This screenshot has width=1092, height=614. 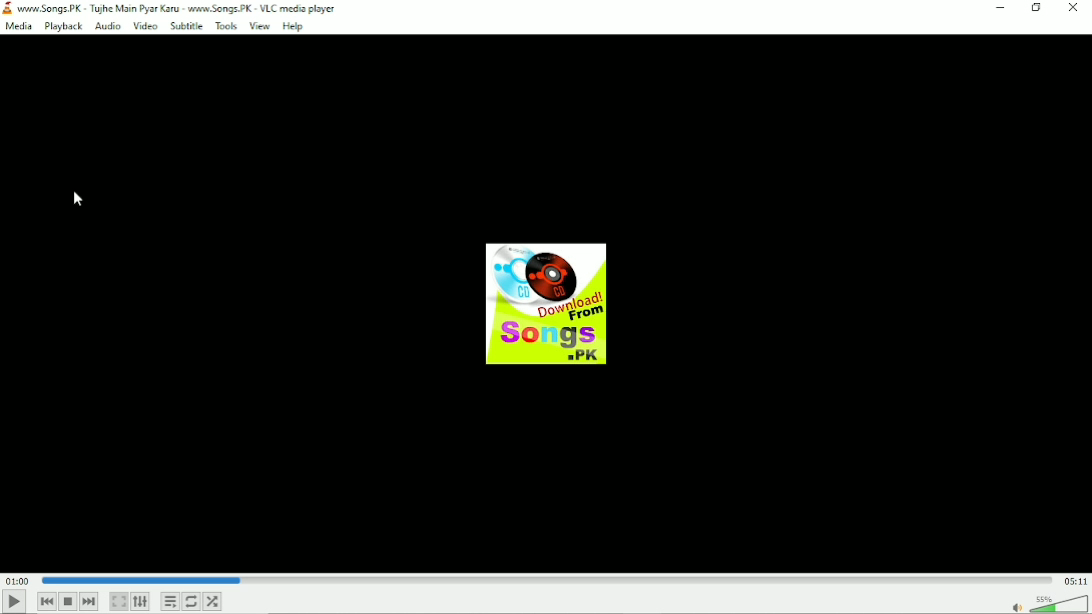 What do you see at coordinates (187, 27) in the screenshot?
I see `Subtitle` at bounding box center [187, 27].